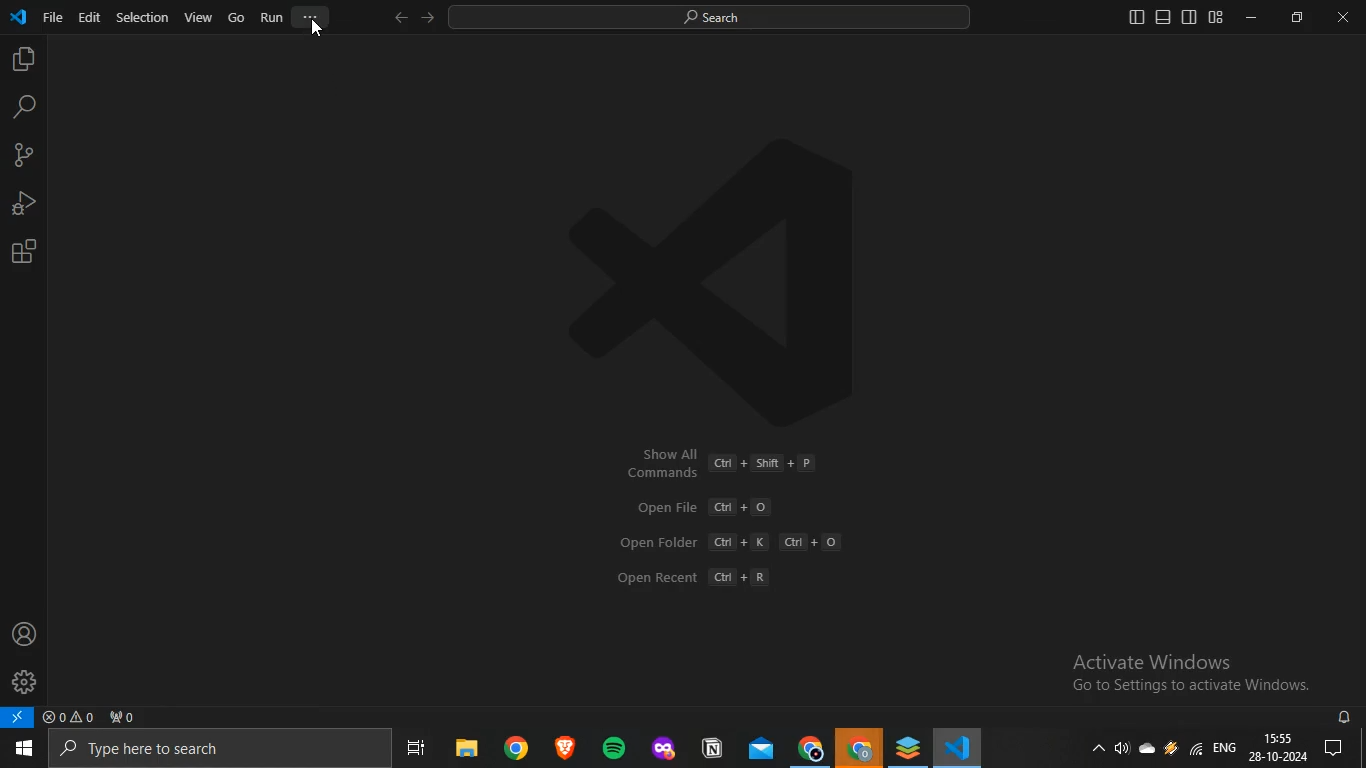 This screenshot has height=768, width=1366. What do you see at coordinates (143, 18) in the screenshot?
I see `selection` at bounding box center [143, 18].